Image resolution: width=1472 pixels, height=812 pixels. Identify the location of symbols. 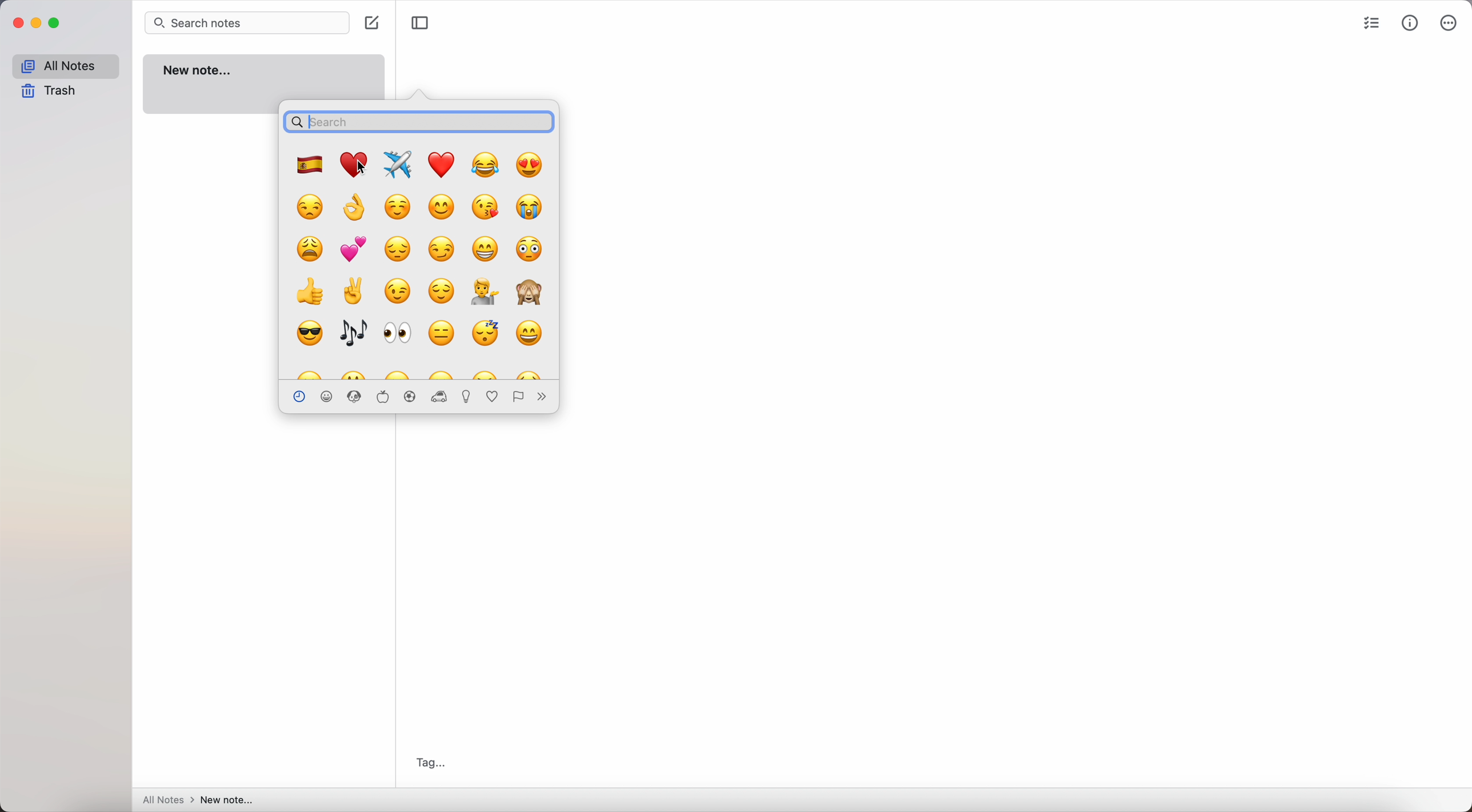
(493, 397).